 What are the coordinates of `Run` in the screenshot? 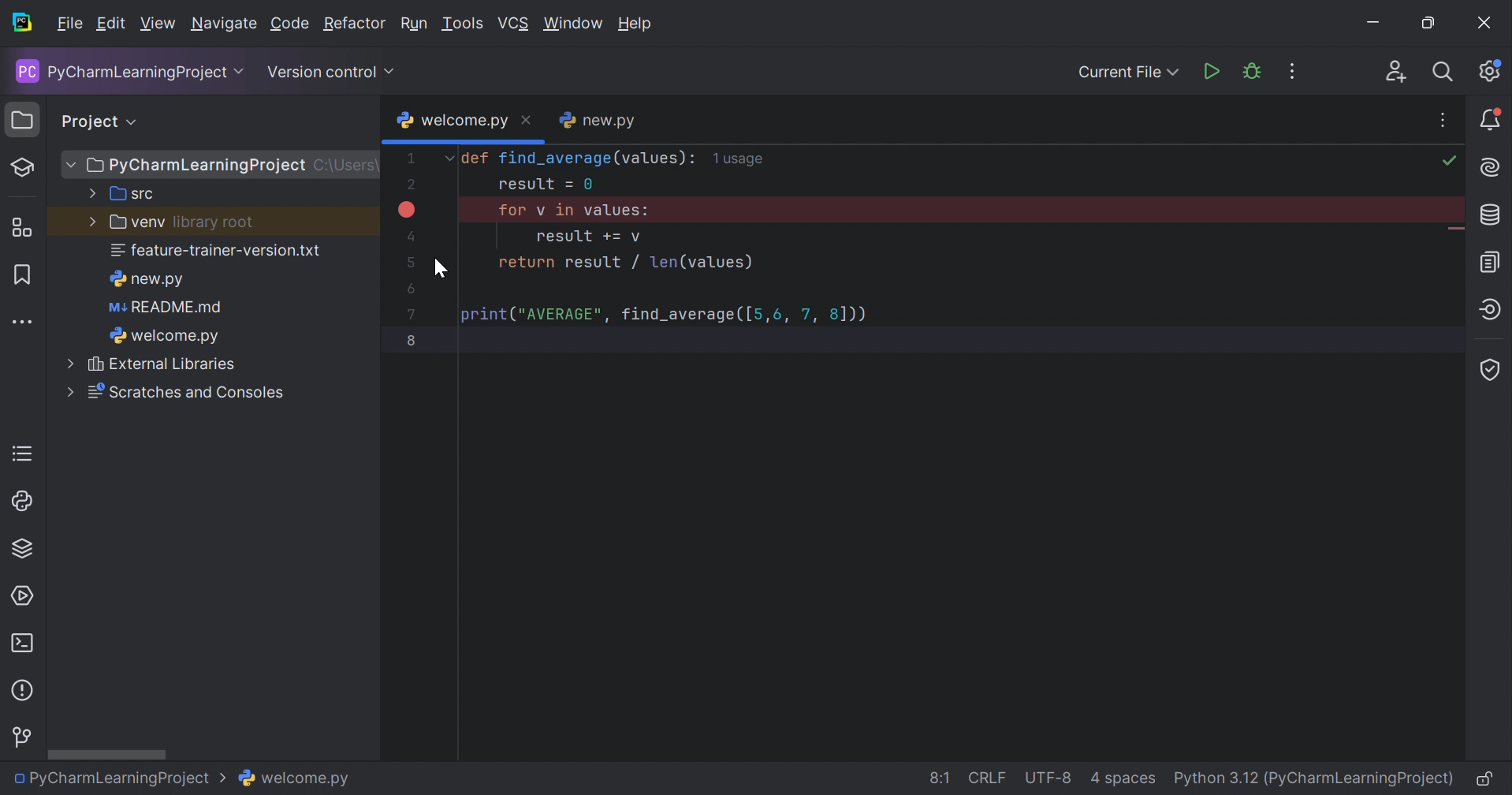 It's located at (415, 24).